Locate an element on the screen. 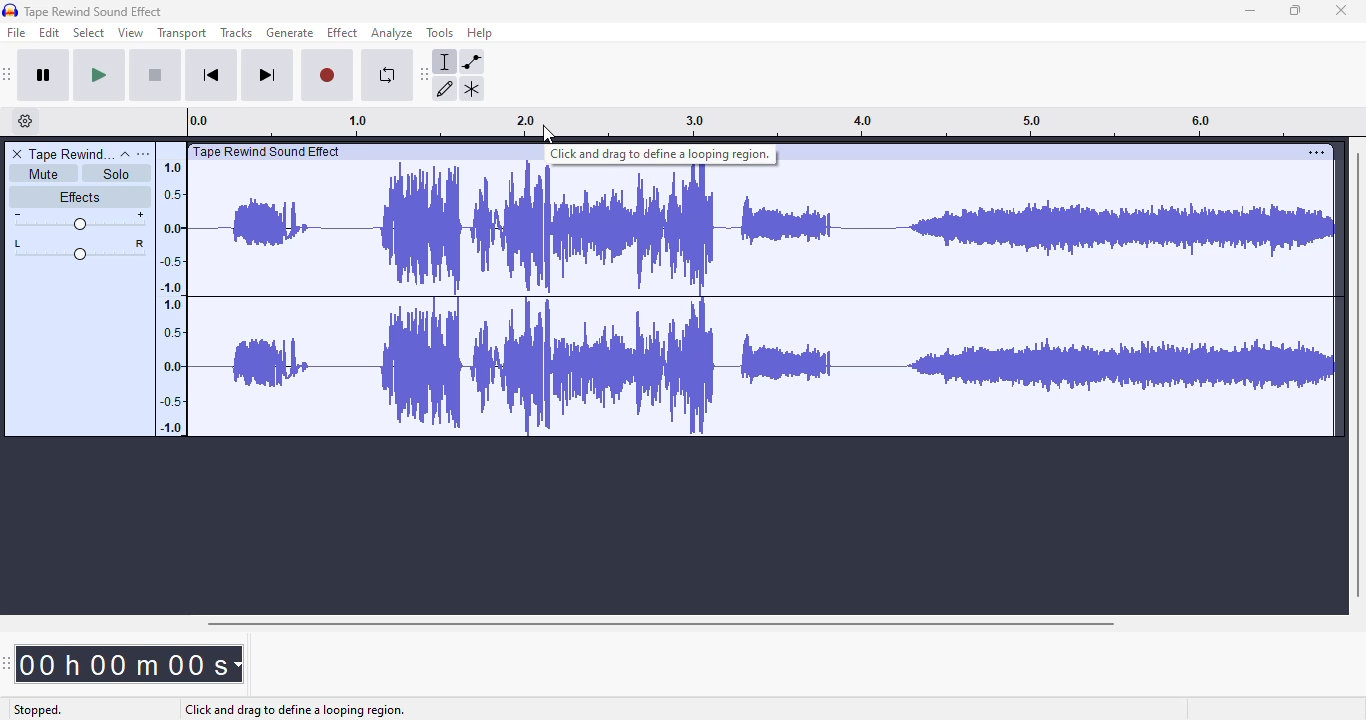 The image size is (1366, 720). volume is located at coordinates (79, 222).